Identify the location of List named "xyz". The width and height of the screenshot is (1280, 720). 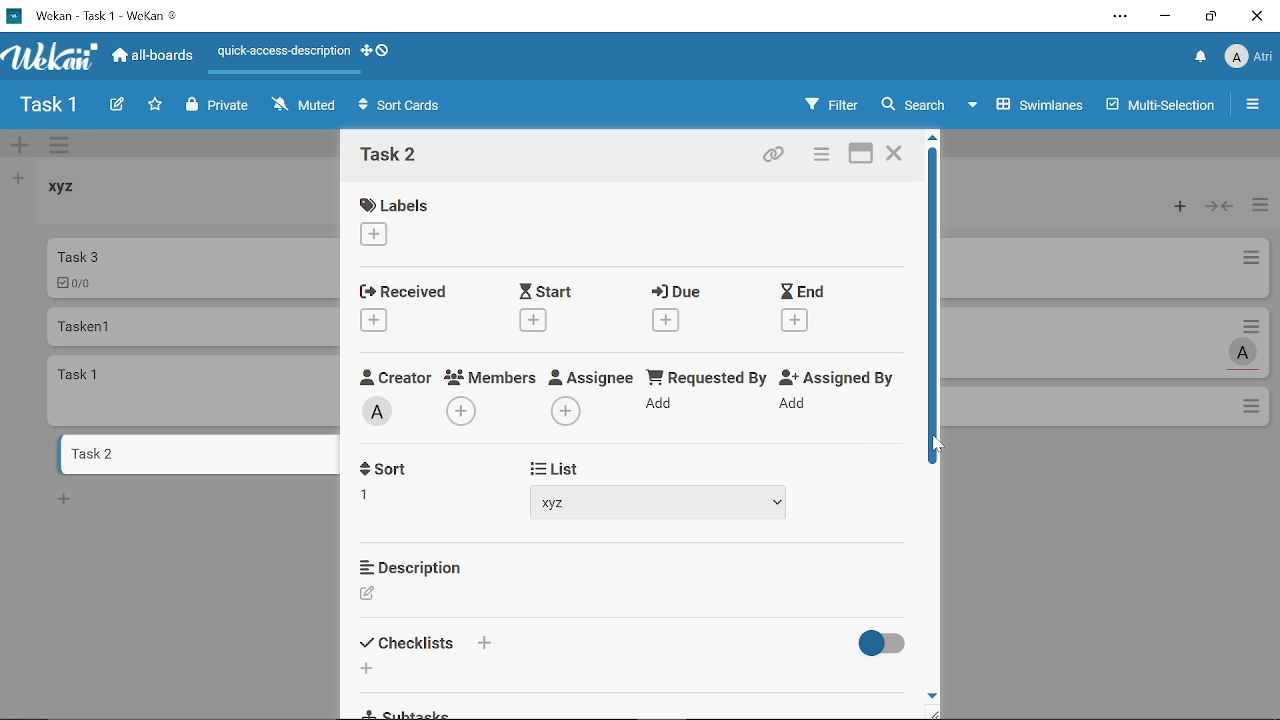
(75, 194).